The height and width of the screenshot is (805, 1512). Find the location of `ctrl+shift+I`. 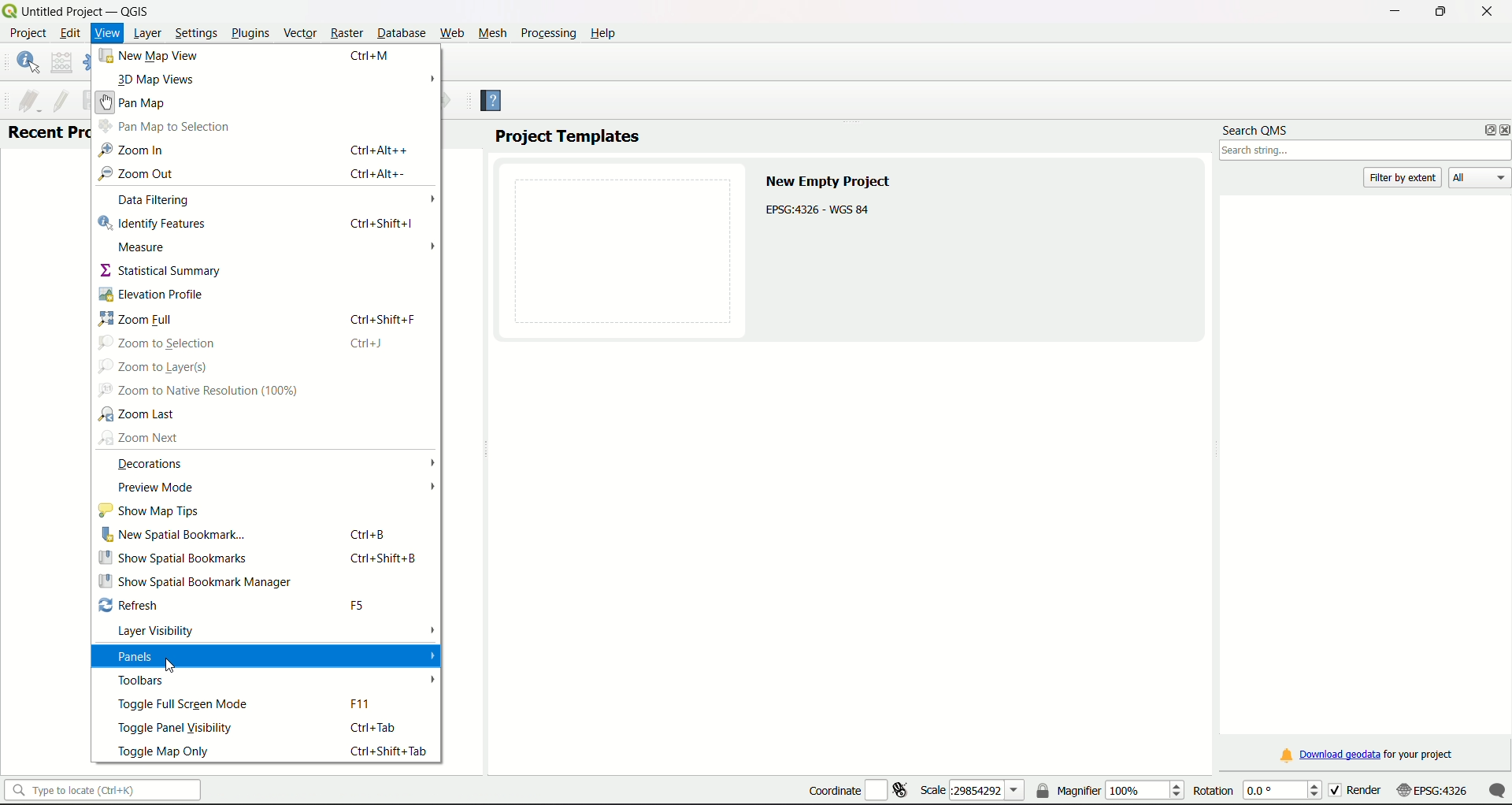

ctrl+shift+I is located at coordinates (382, 223).